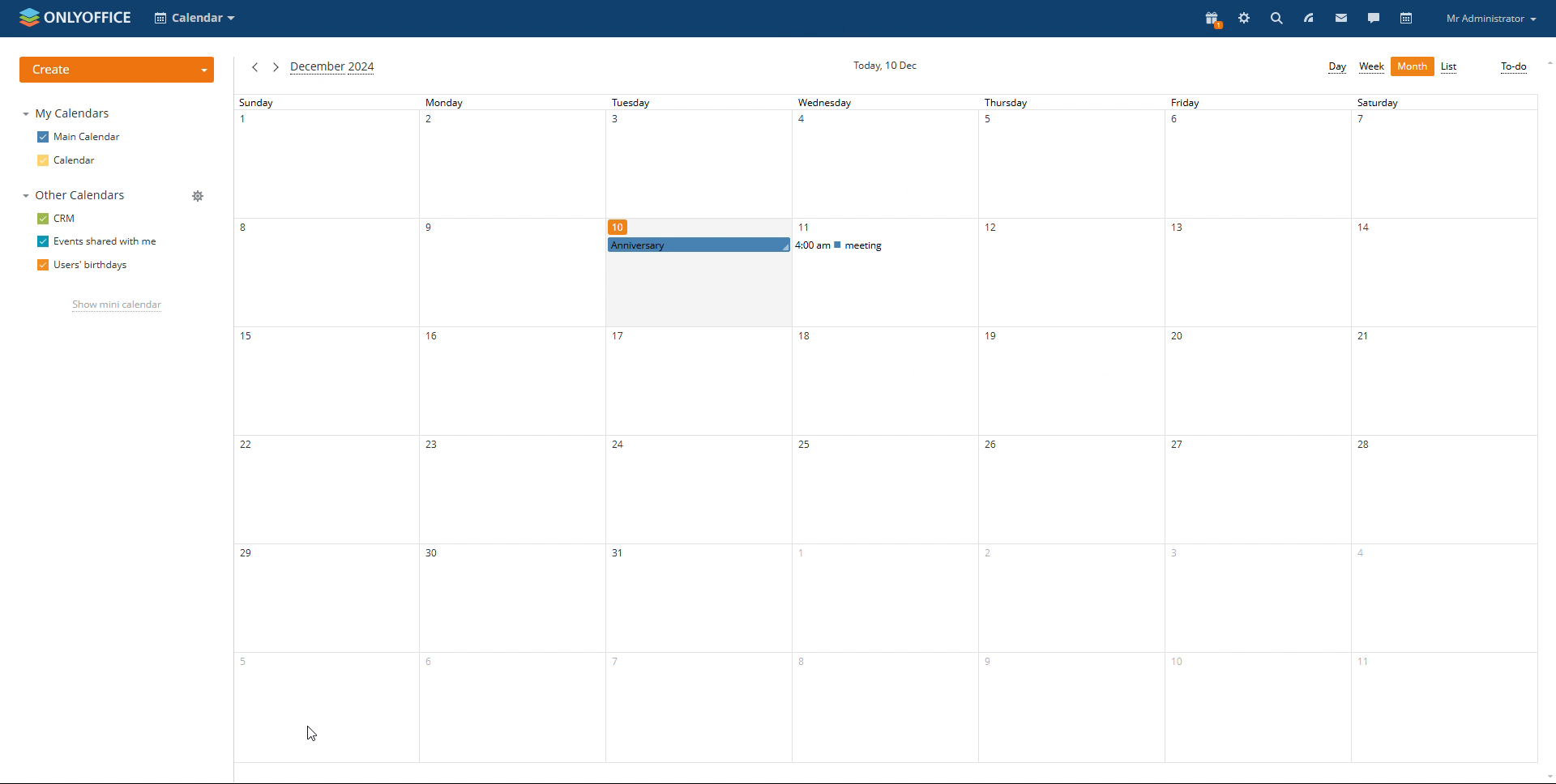 This screenshot has width=1556, height=784. Describe the element at coordinates (1257, 439) in the screenshot. I see `friday` at that location.